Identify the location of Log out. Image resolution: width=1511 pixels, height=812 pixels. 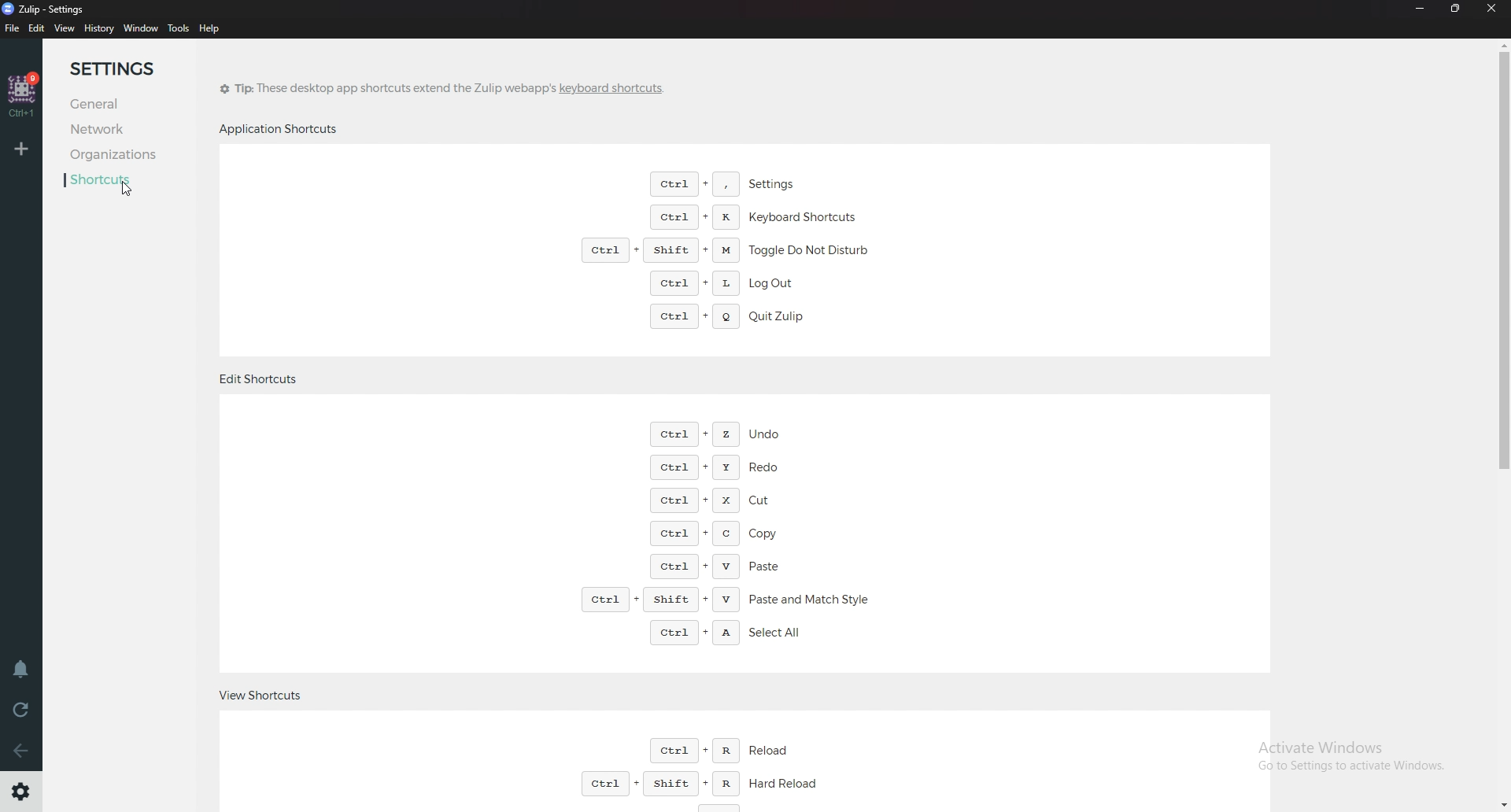
(730, 283).